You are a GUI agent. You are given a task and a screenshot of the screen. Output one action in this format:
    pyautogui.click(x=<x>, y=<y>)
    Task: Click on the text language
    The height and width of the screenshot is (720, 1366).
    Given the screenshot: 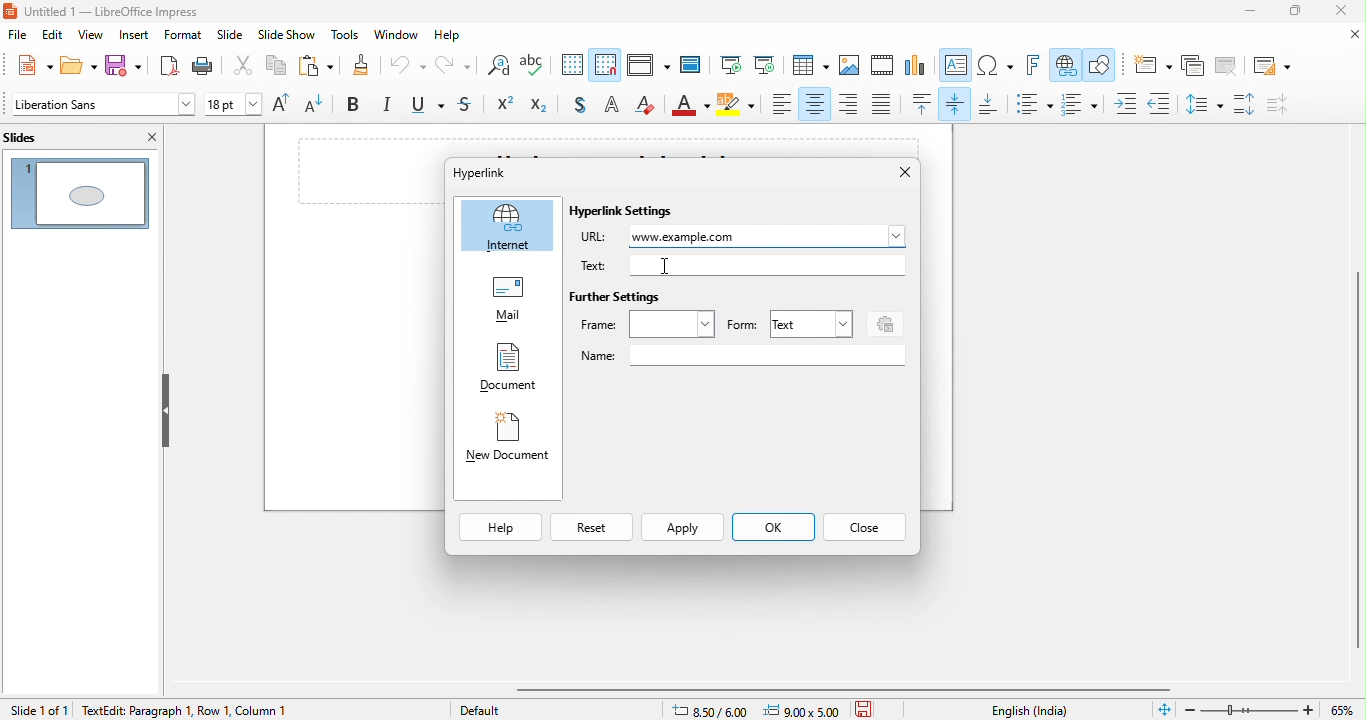 What is the action you would take?
    pyautogui.click(x=1032, y=710)
    